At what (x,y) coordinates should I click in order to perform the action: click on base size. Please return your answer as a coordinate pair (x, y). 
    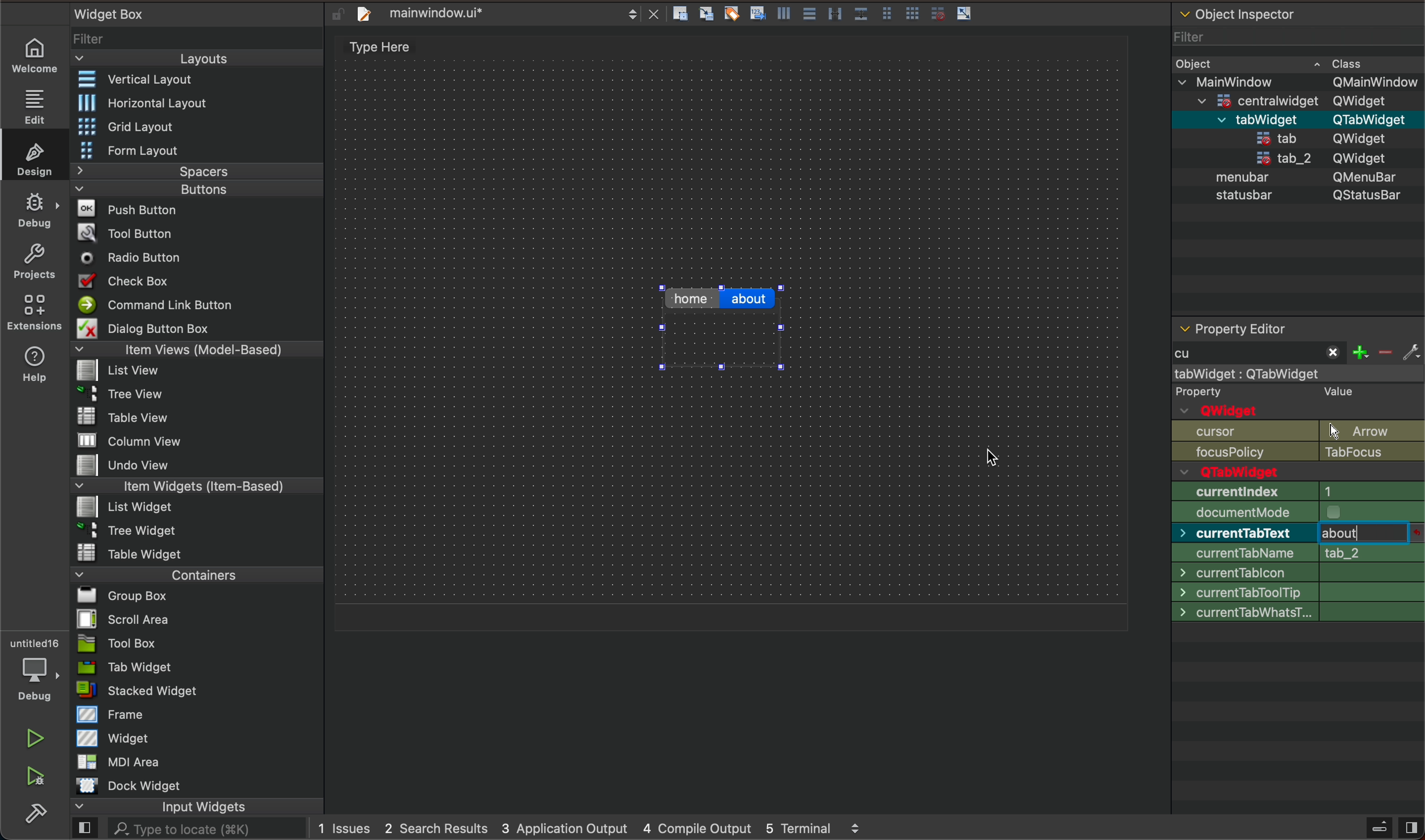
    Looking at the image, I should click on (1298, 589).